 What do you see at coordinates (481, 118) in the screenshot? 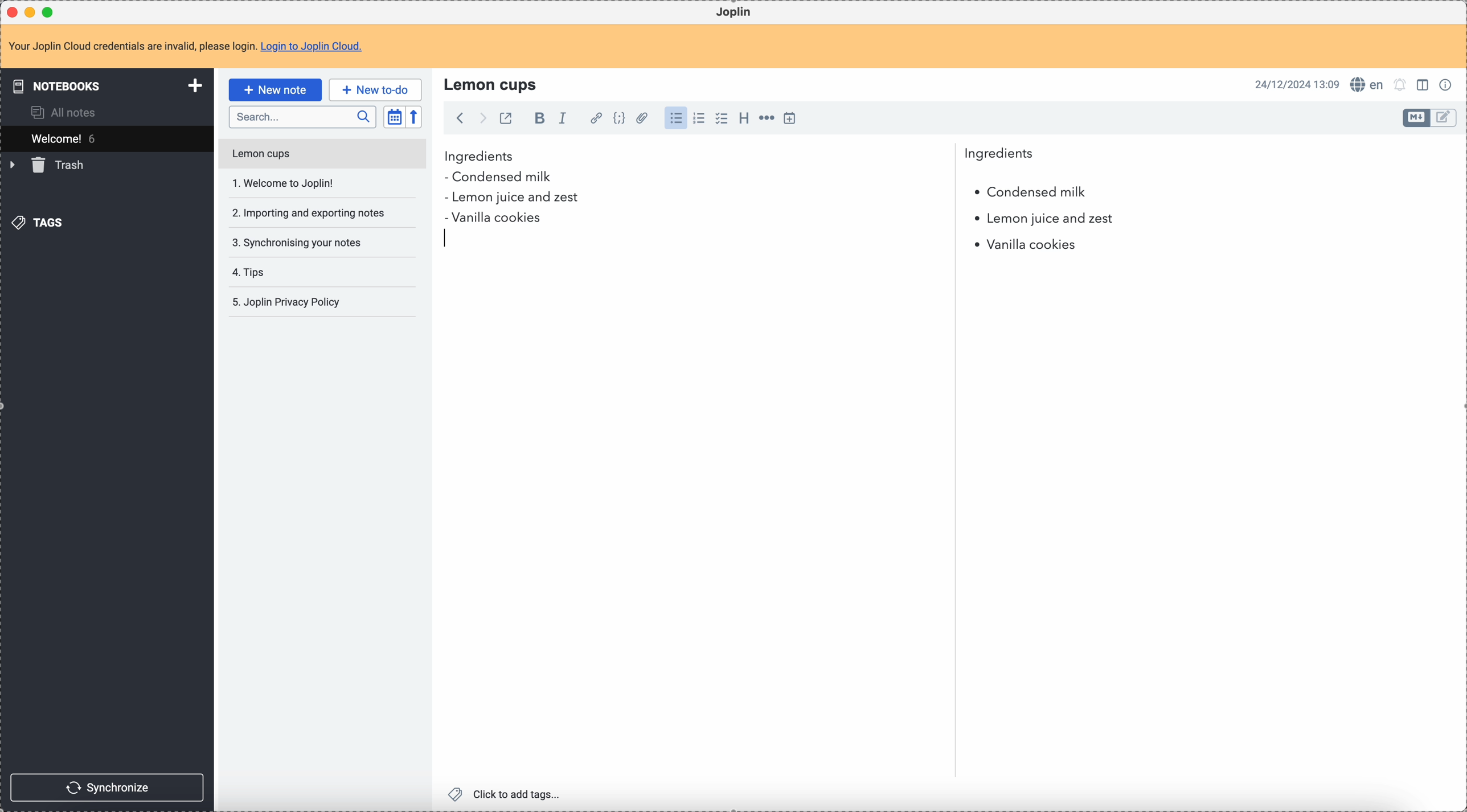
I see `foward` at bounding box center [481, 118].